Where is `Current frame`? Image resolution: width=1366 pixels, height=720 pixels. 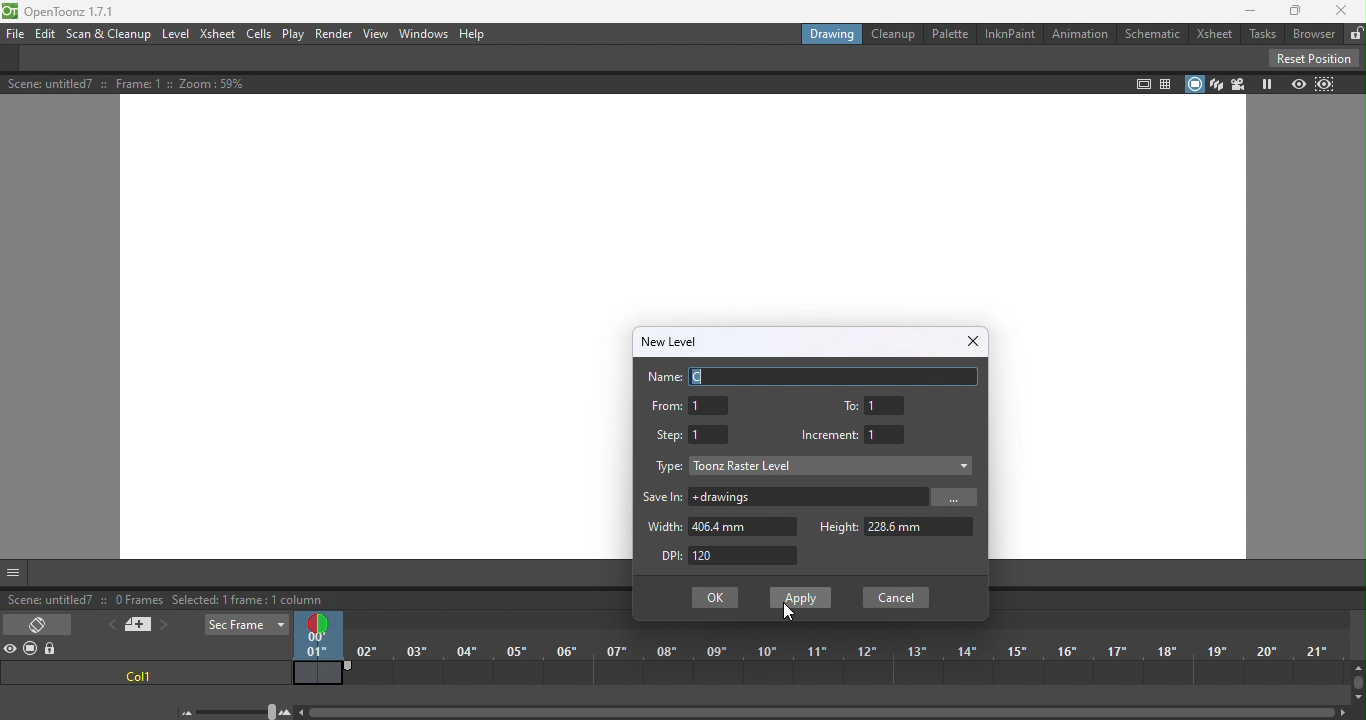
Current frame is located at coordinates (313, 647).